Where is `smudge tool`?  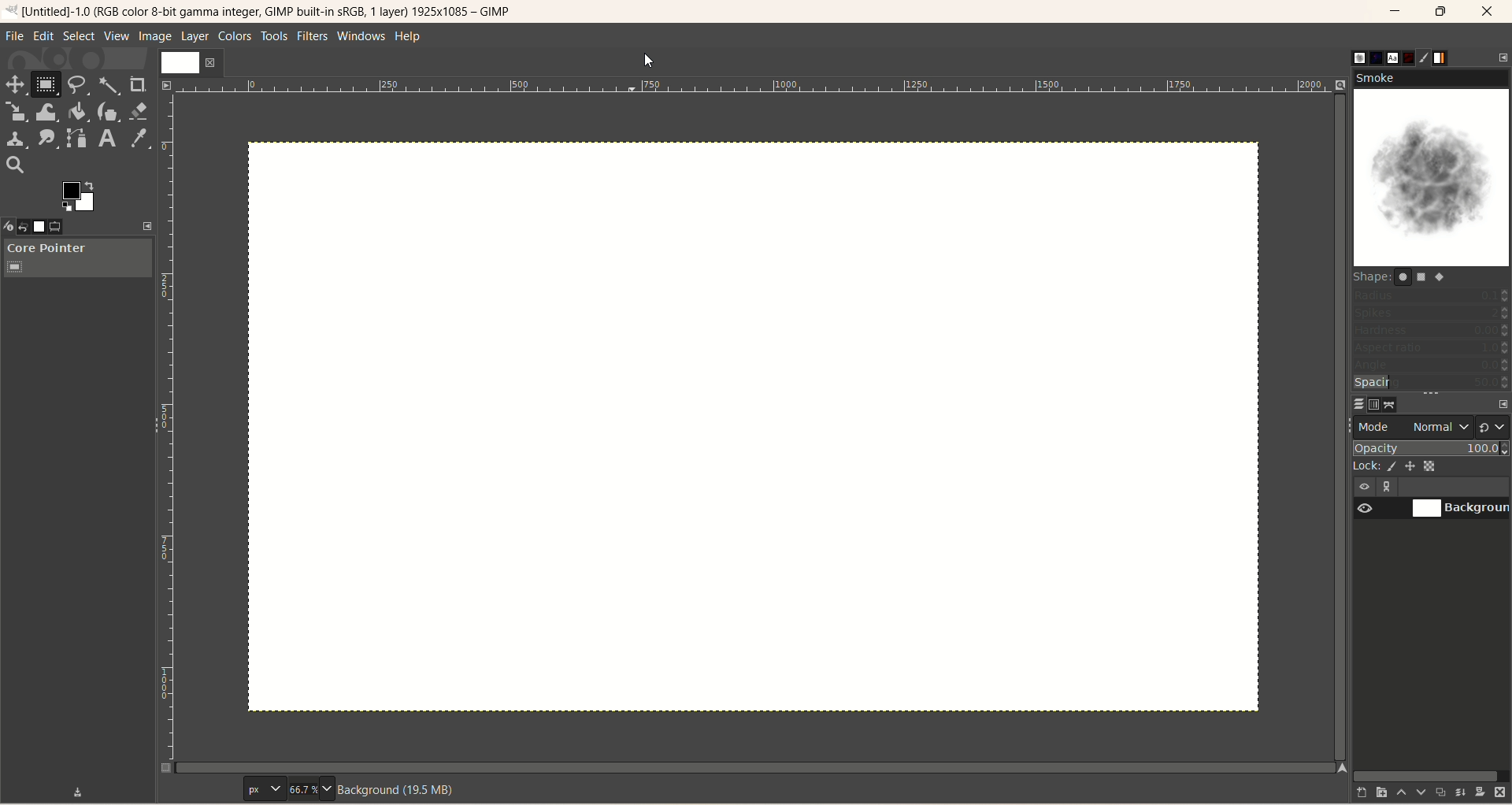
smudge tool is located at coordinates (46, 138).